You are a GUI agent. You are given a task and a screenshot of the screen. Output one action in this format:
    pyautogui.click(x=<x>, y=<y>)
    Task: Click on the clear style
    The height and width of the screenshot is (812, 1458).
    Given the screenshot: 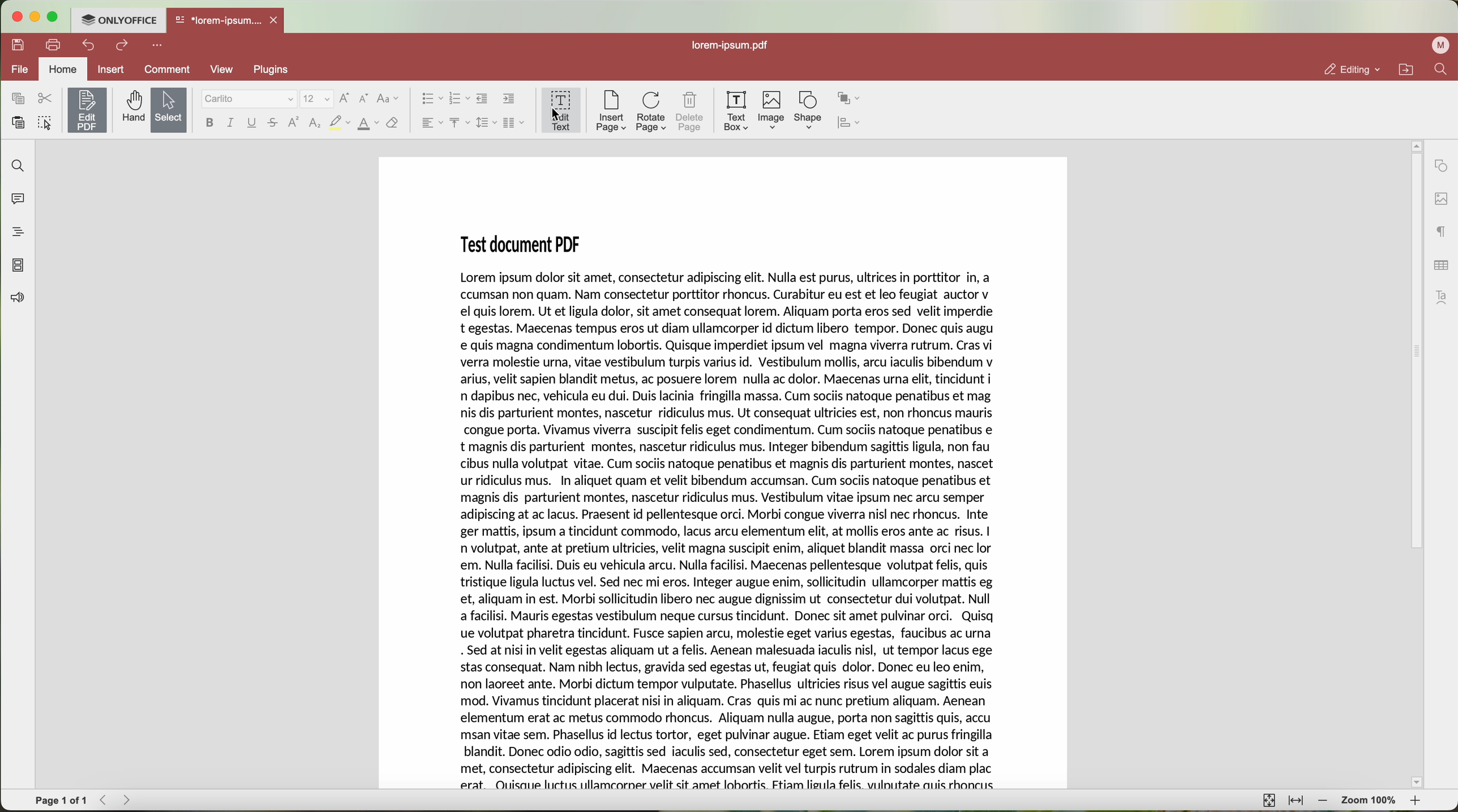 What is the action you would take?
    pyautogui.click(x=392, y=124)
    